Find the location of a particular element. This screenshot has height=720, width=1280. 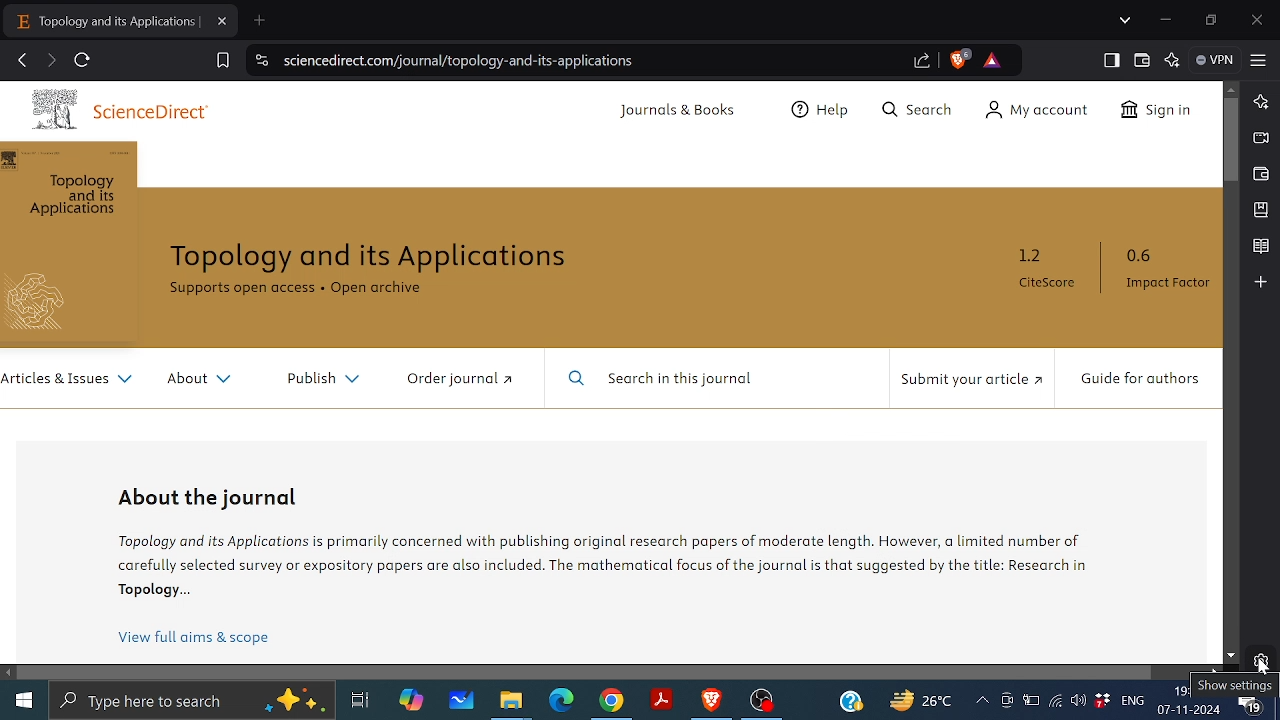

Brave is located at coordinates (712, 701).